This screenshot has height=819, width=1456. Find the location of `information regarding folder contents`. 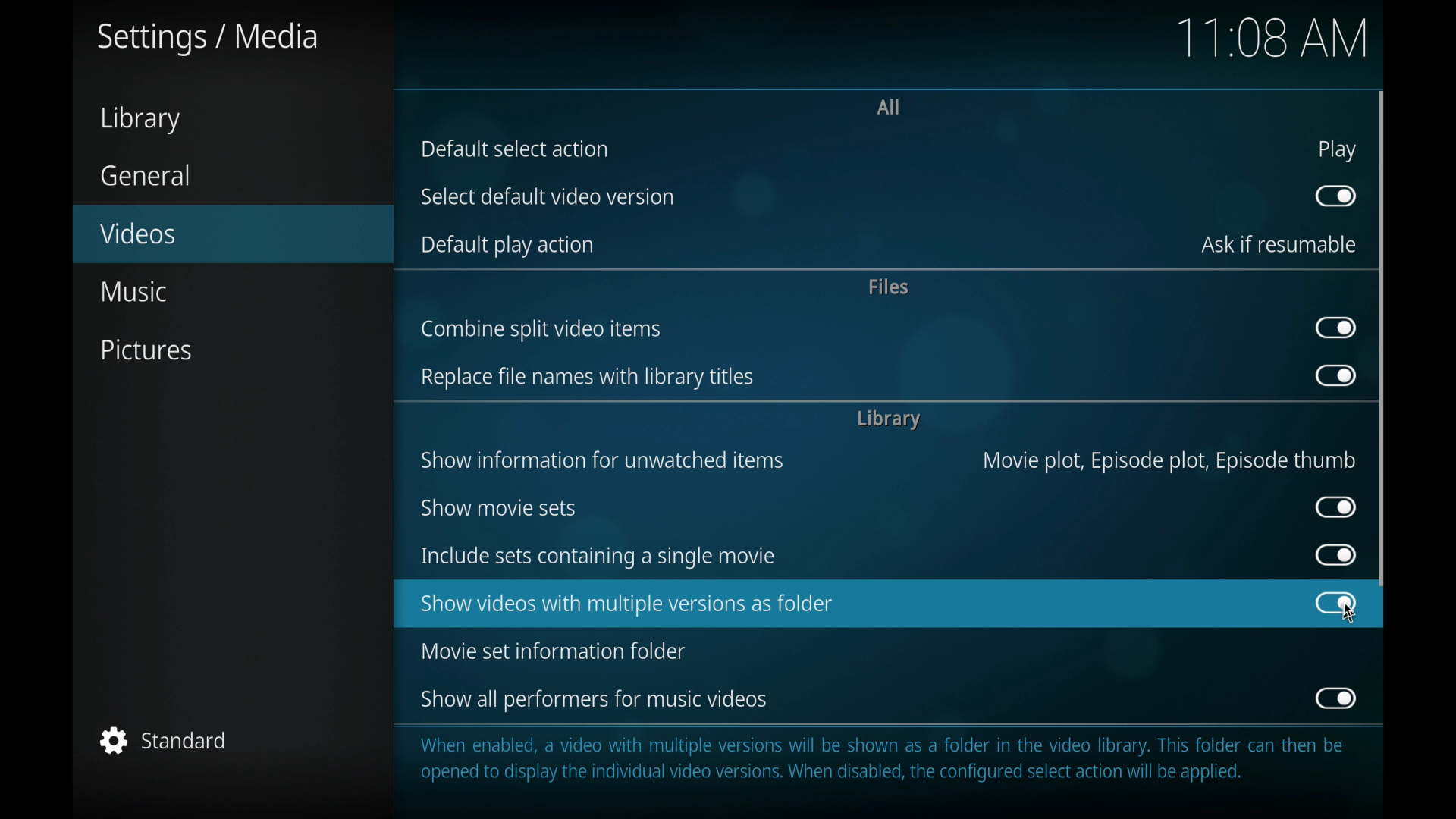

information regarding folder contents is located at coordinates (883, 760).